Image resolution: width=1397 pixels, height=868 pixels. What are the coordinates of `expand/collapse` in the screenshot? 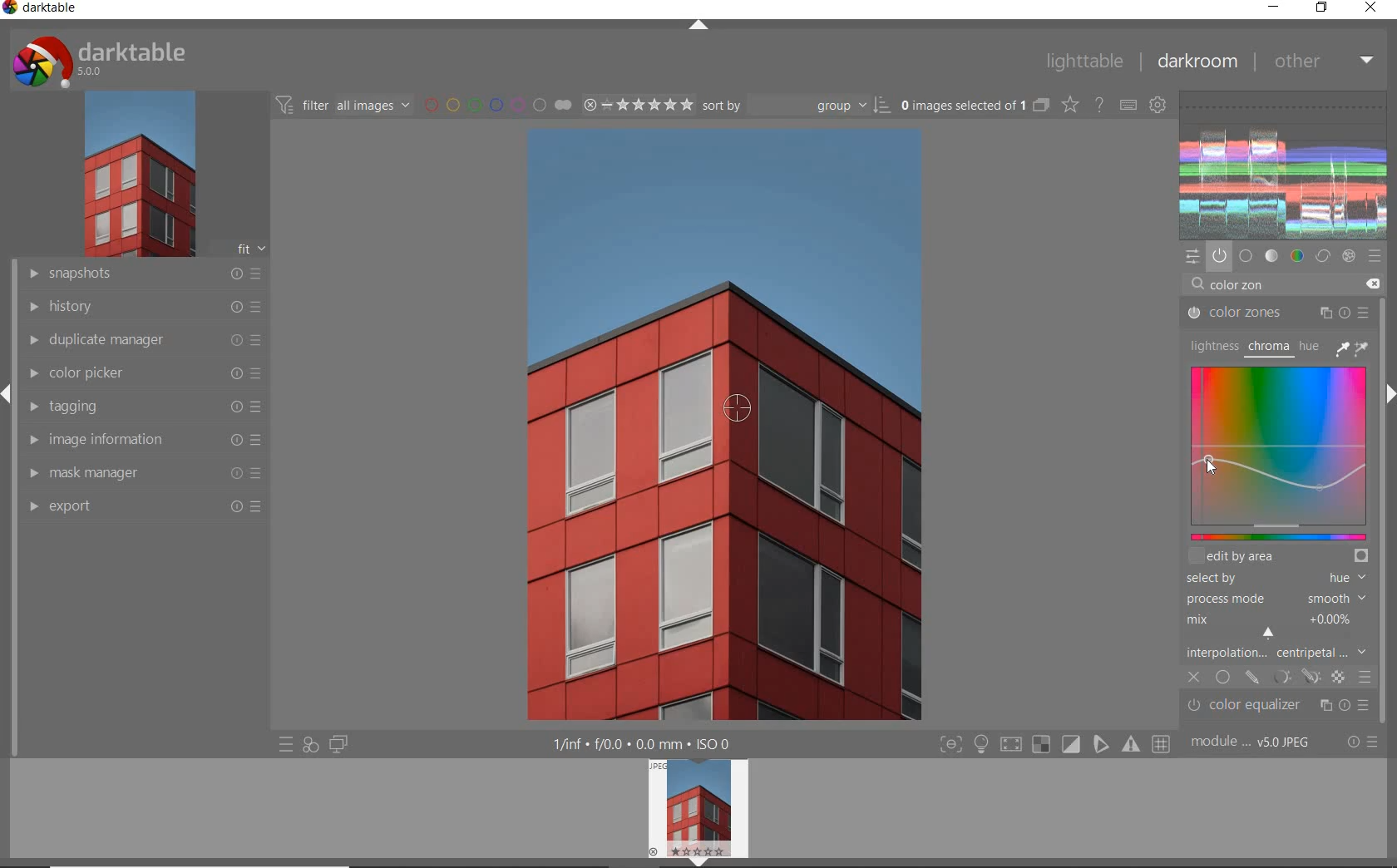 It's located at (8, 396).